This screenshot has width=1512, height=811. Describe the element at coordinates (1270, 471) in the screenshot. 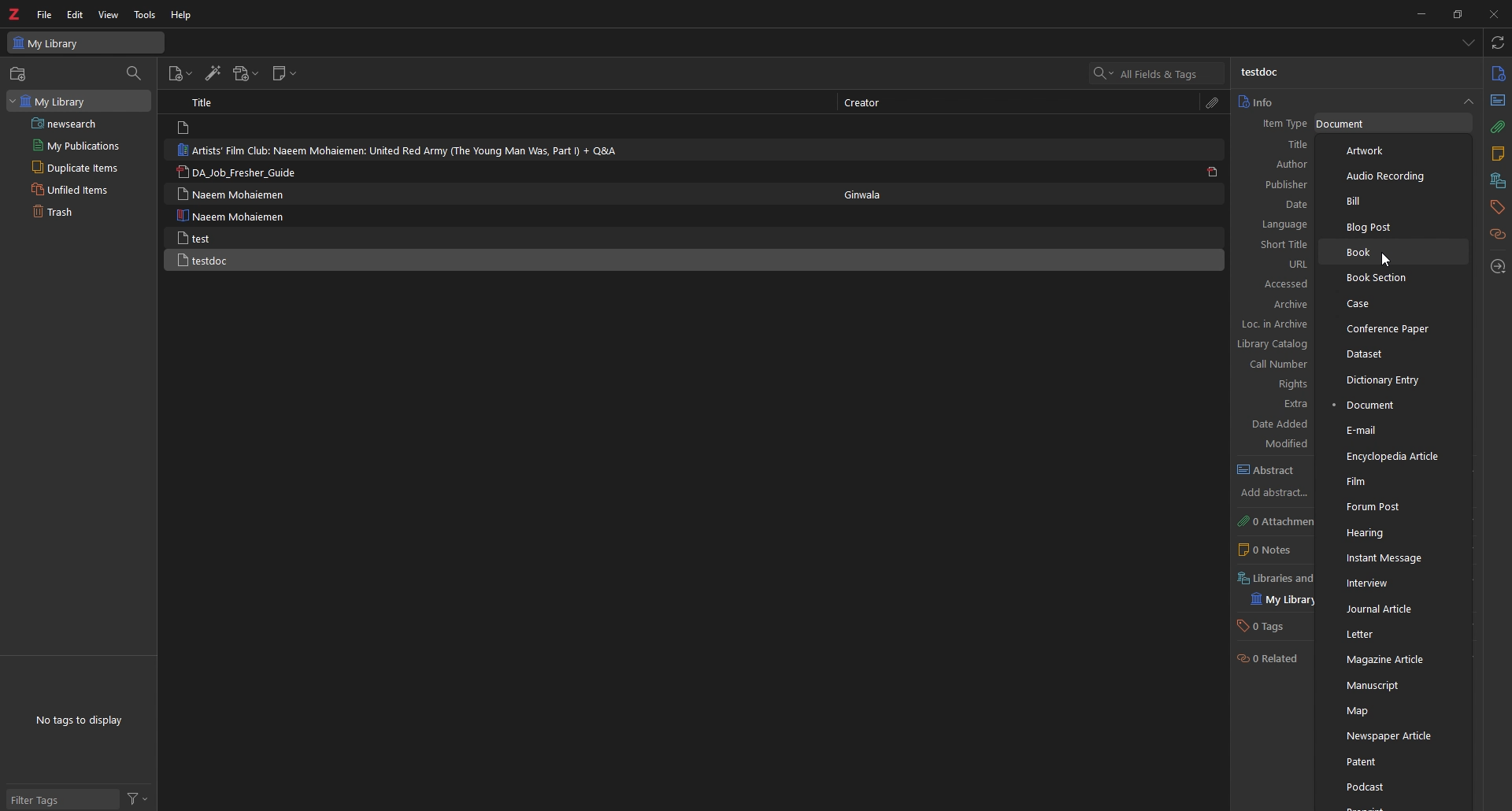

I see `abstract` at that location.